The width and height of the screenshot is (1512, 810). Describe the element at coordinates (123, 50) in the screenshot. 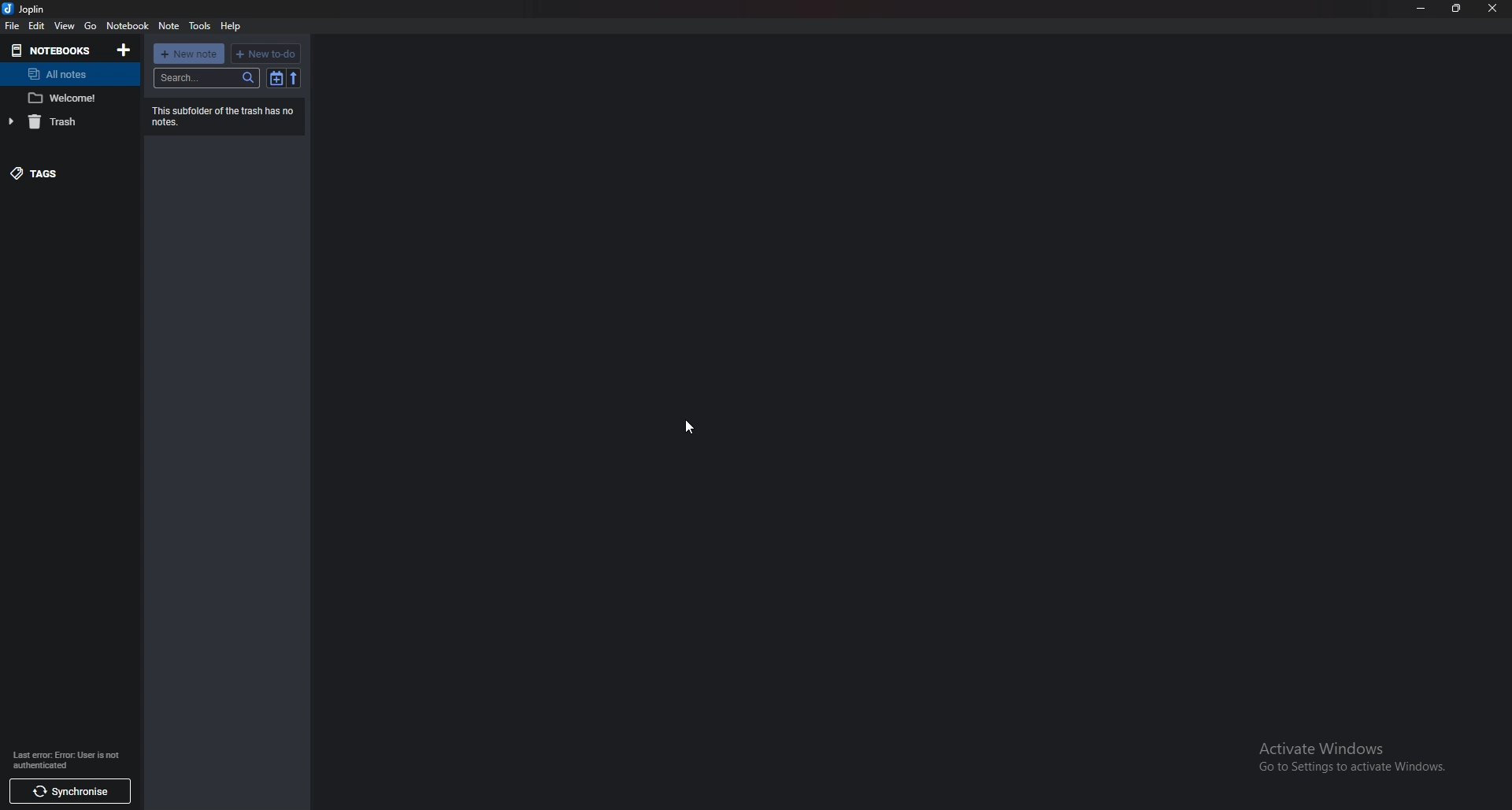

I see `Add notebooks` at that location.